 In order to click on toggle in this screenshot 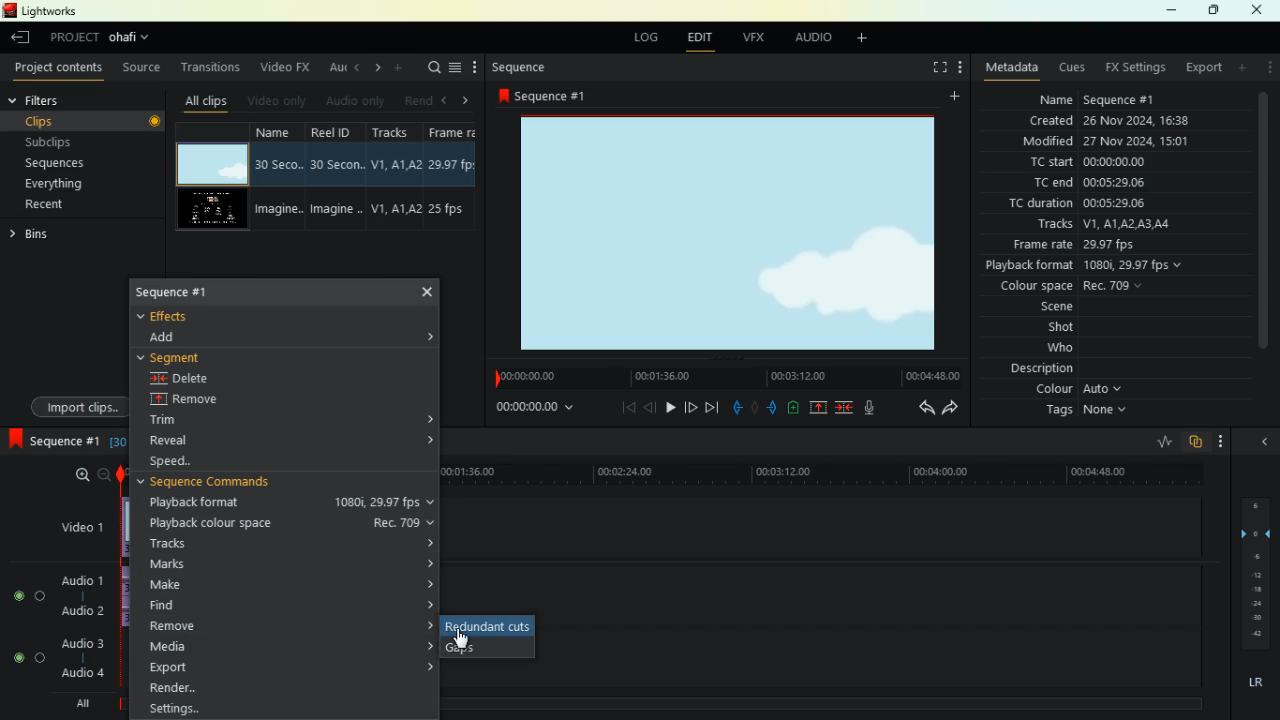, I will do `click(17, 656)`.